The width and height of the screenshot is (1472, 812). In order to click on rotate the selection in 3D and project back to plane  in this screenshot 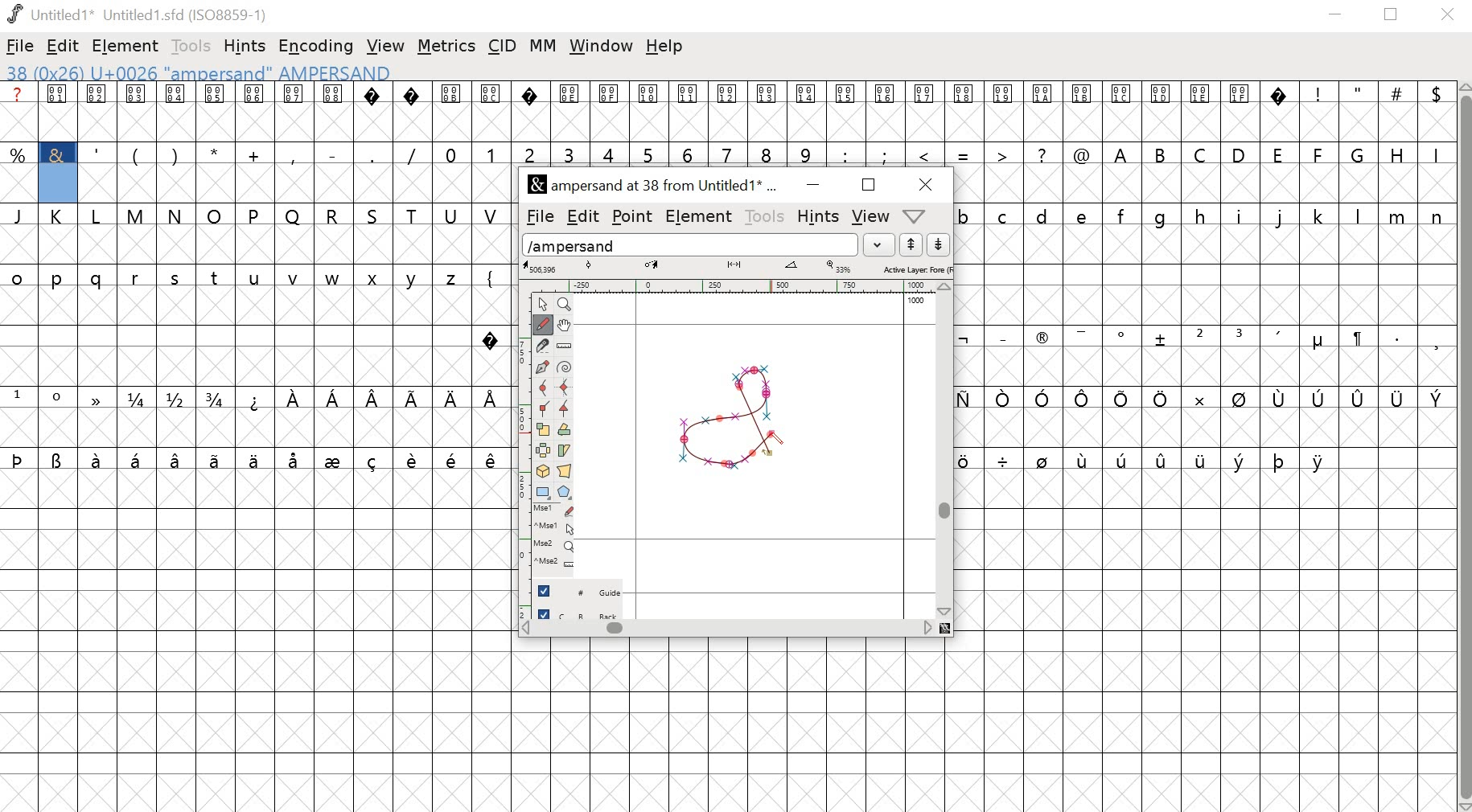, I will do `click(544, 471)`.